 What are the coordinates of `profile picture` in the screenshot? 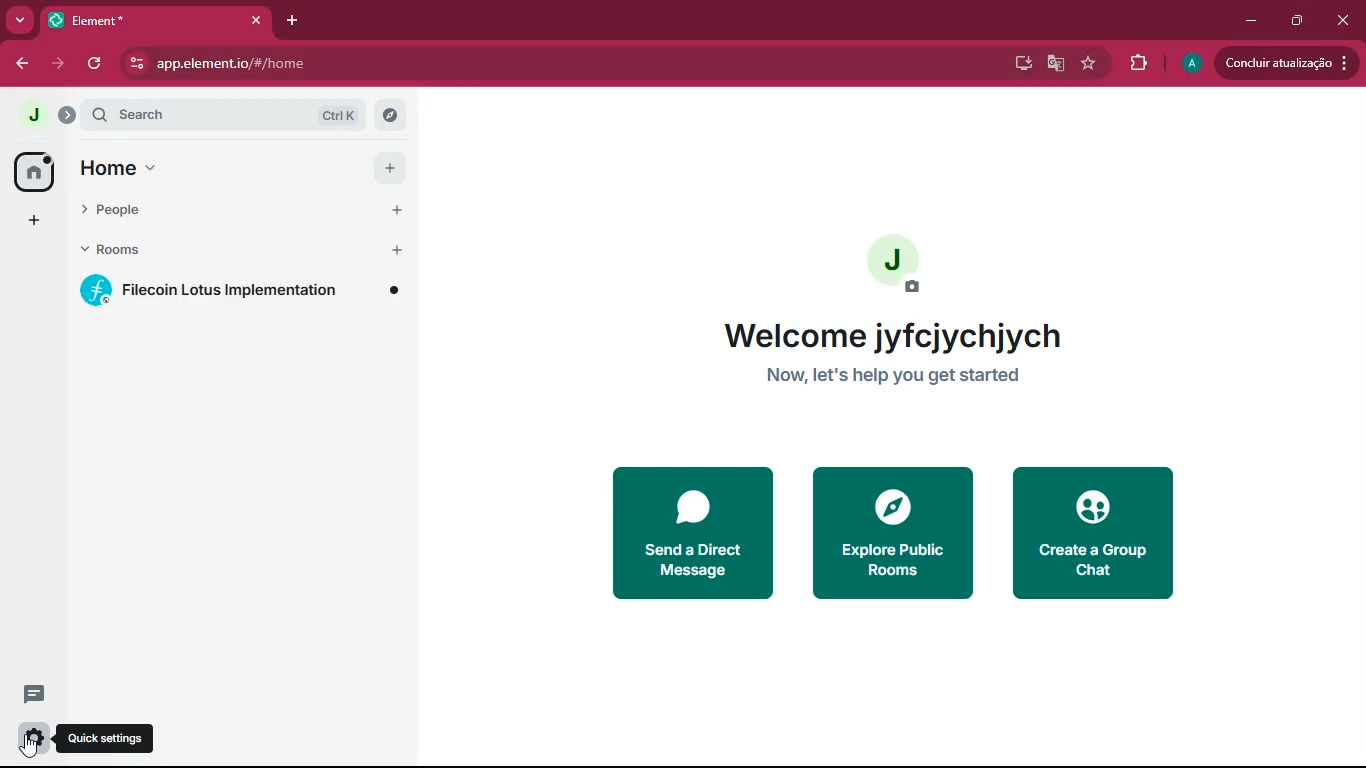 It's located at (1191, 65).